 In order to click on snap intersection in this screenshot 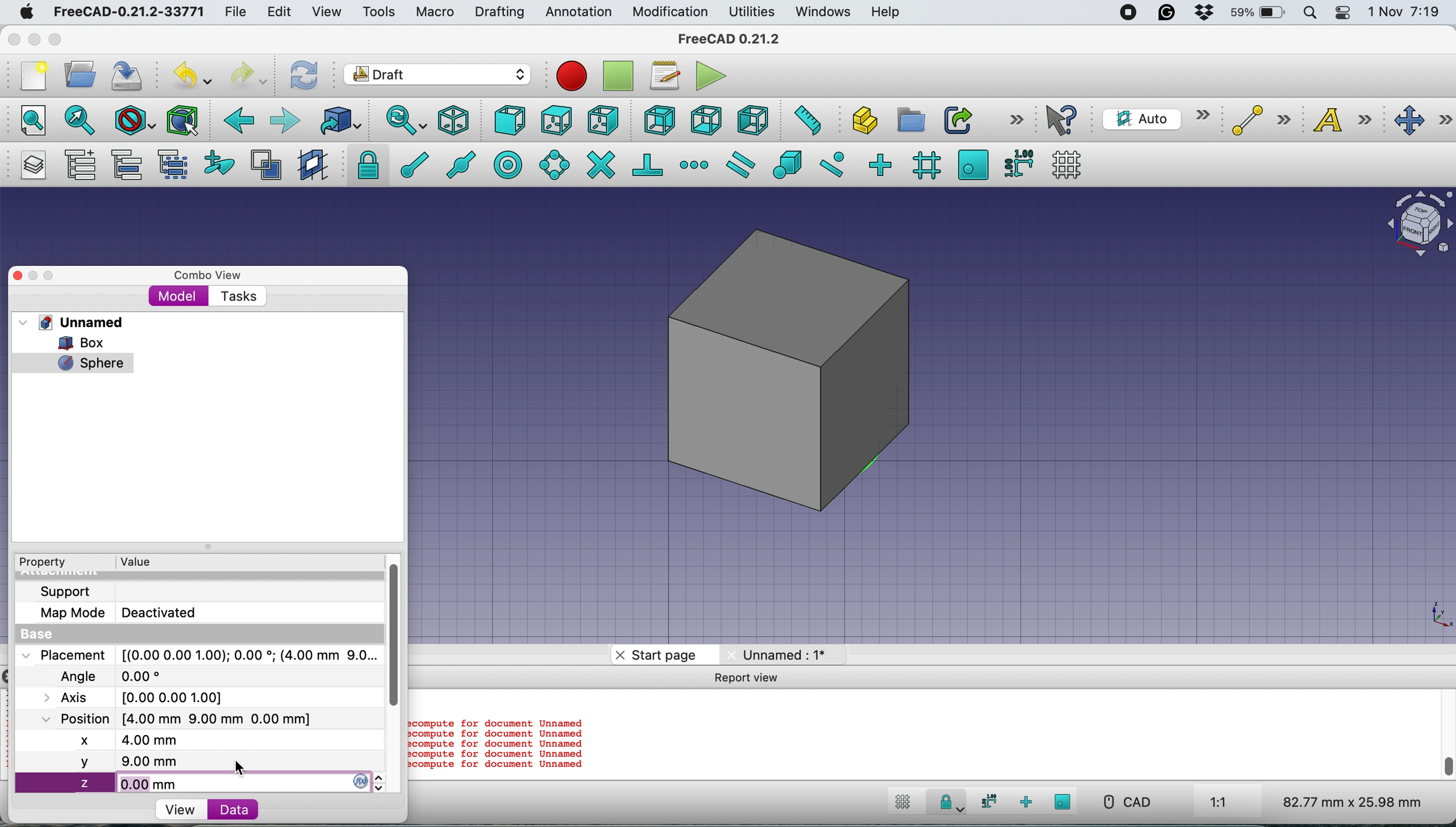, I will do `click(600, 164)`.